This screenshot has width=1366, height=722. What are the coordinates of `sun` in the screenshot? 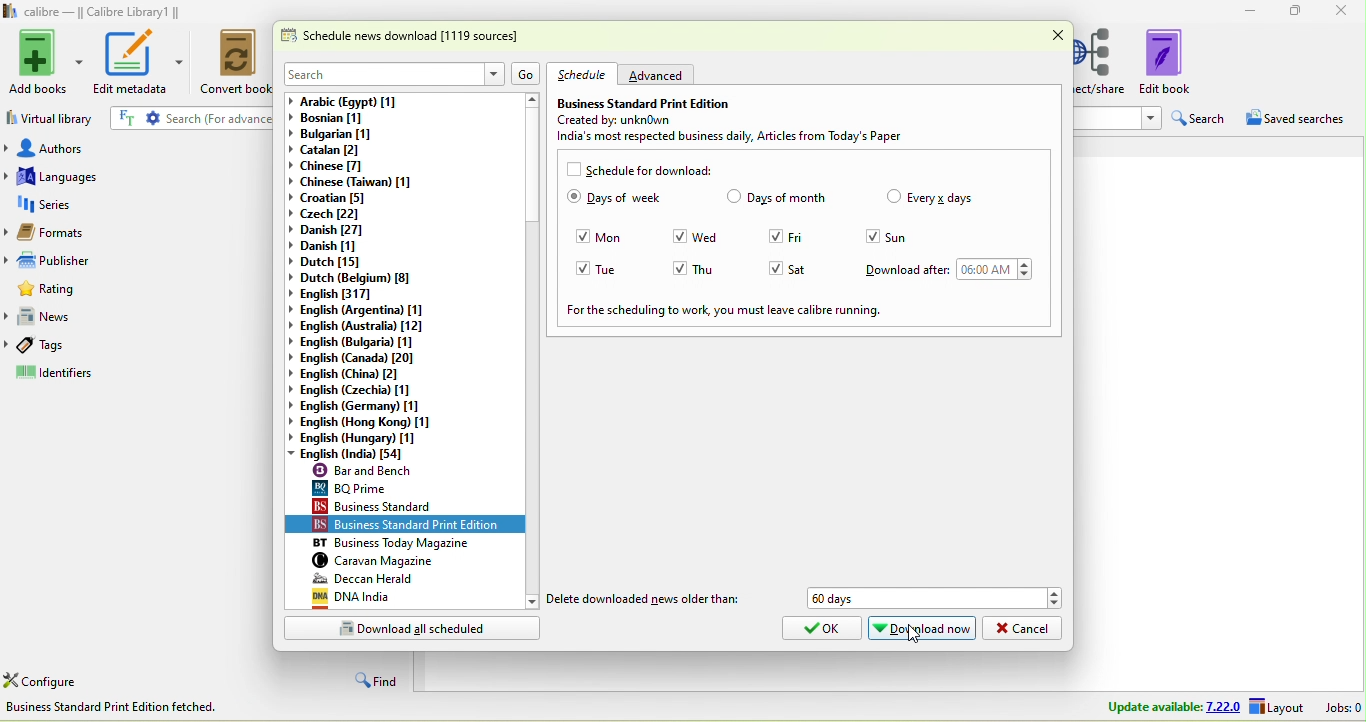 It's located at (903, 238).